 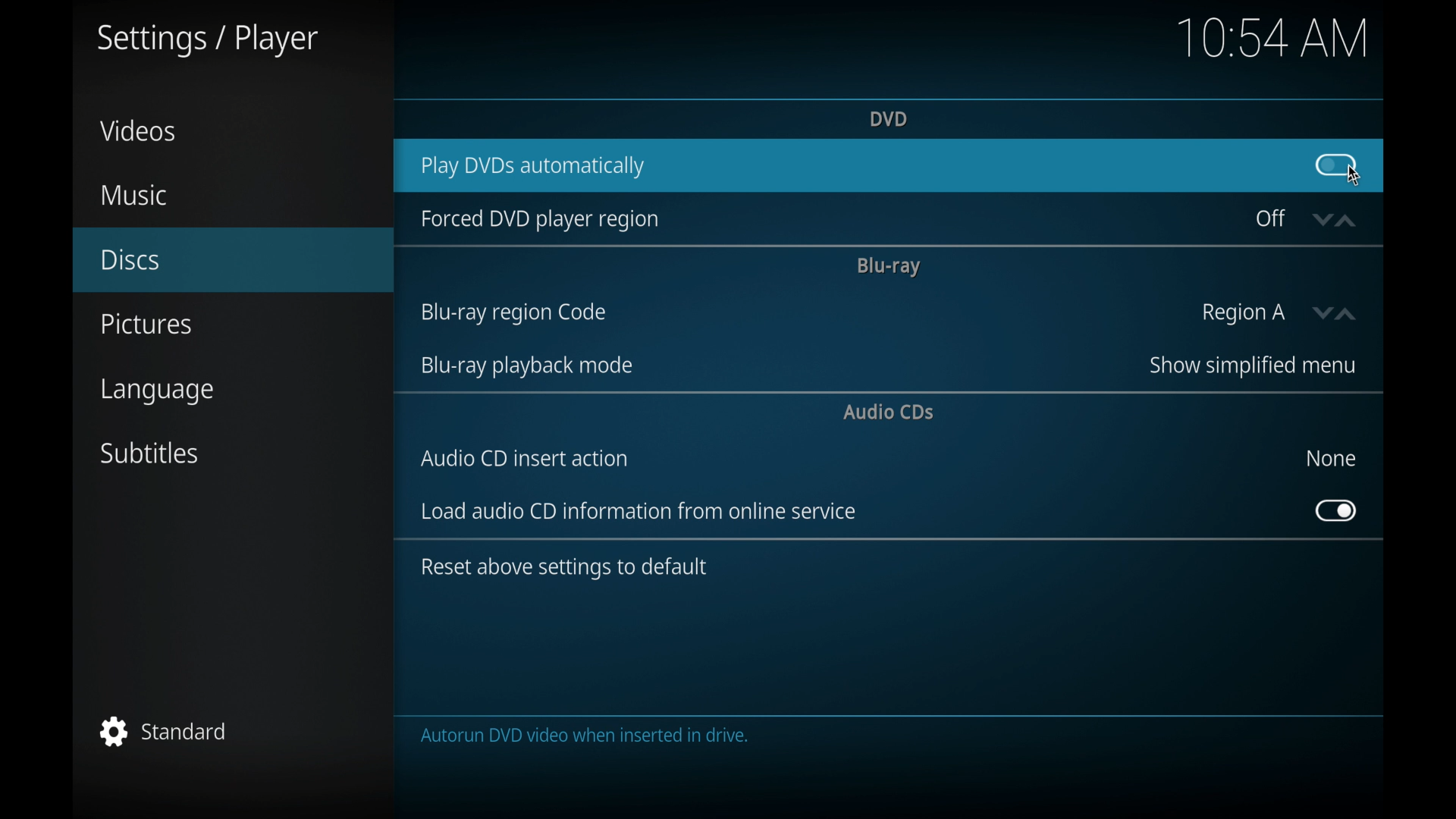 I want to click on toggle button, so click(x=1335, y=165).